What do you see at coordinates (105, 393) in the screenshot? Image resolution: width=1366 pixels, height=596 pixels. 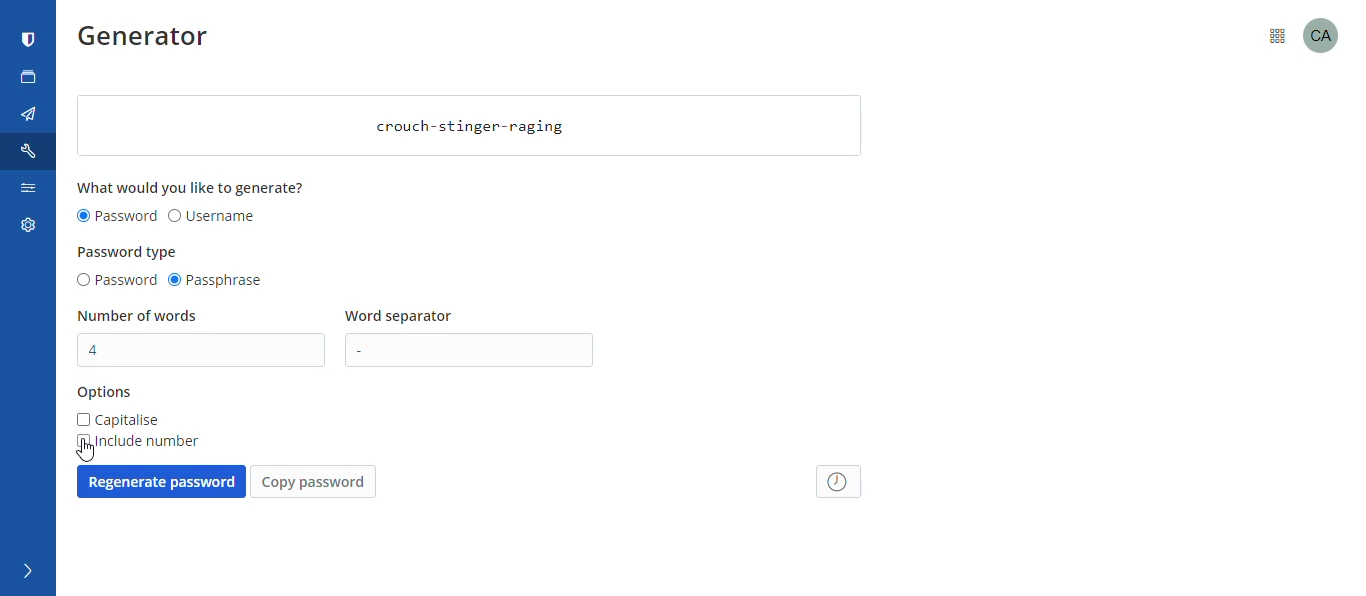 I see `options` at bounding box center [105, 393].